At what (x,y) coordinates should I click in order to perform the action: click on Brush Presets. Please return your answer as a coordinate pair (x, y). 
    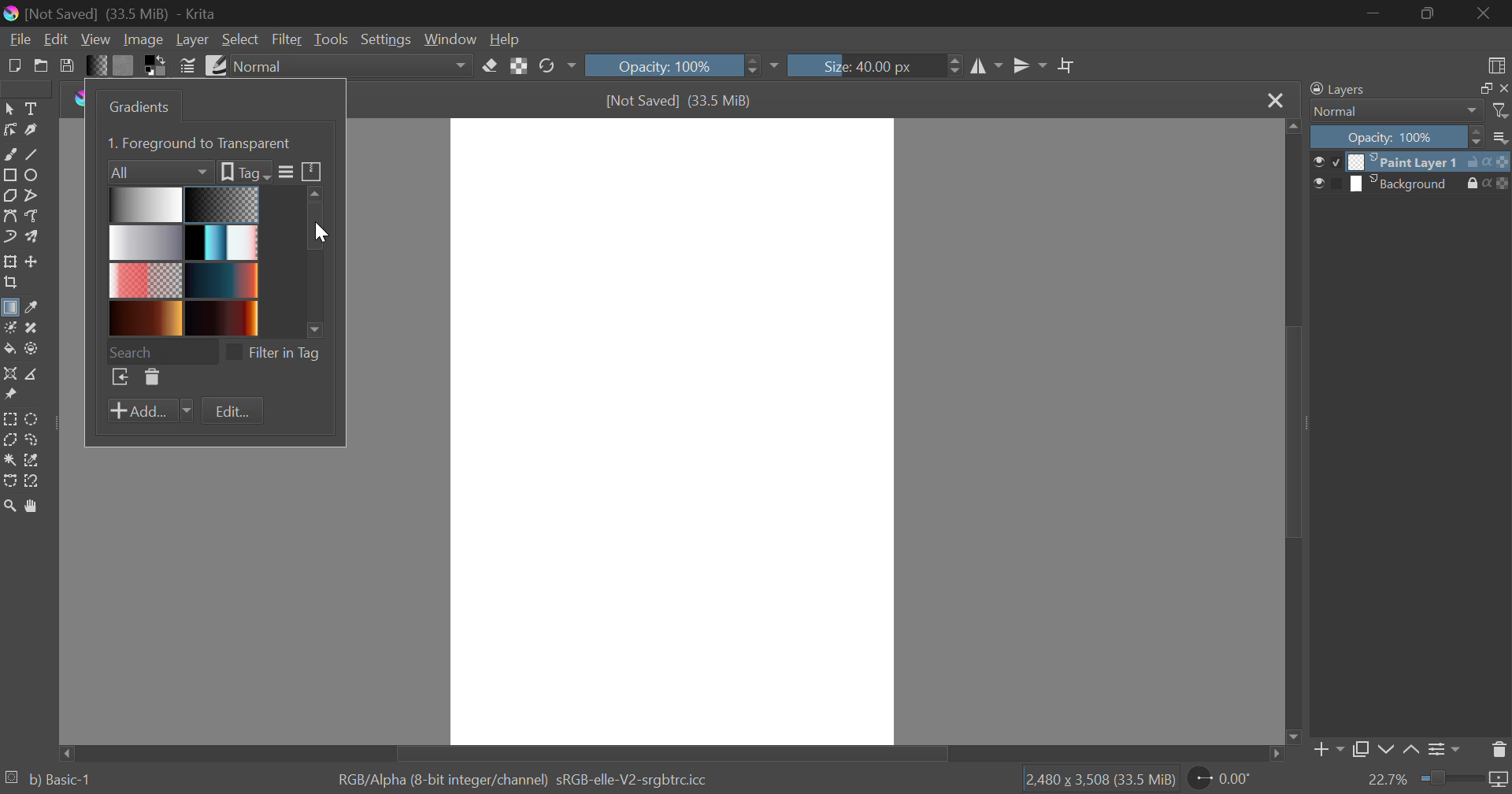
    Looking at the image, I should click on (214, 64).